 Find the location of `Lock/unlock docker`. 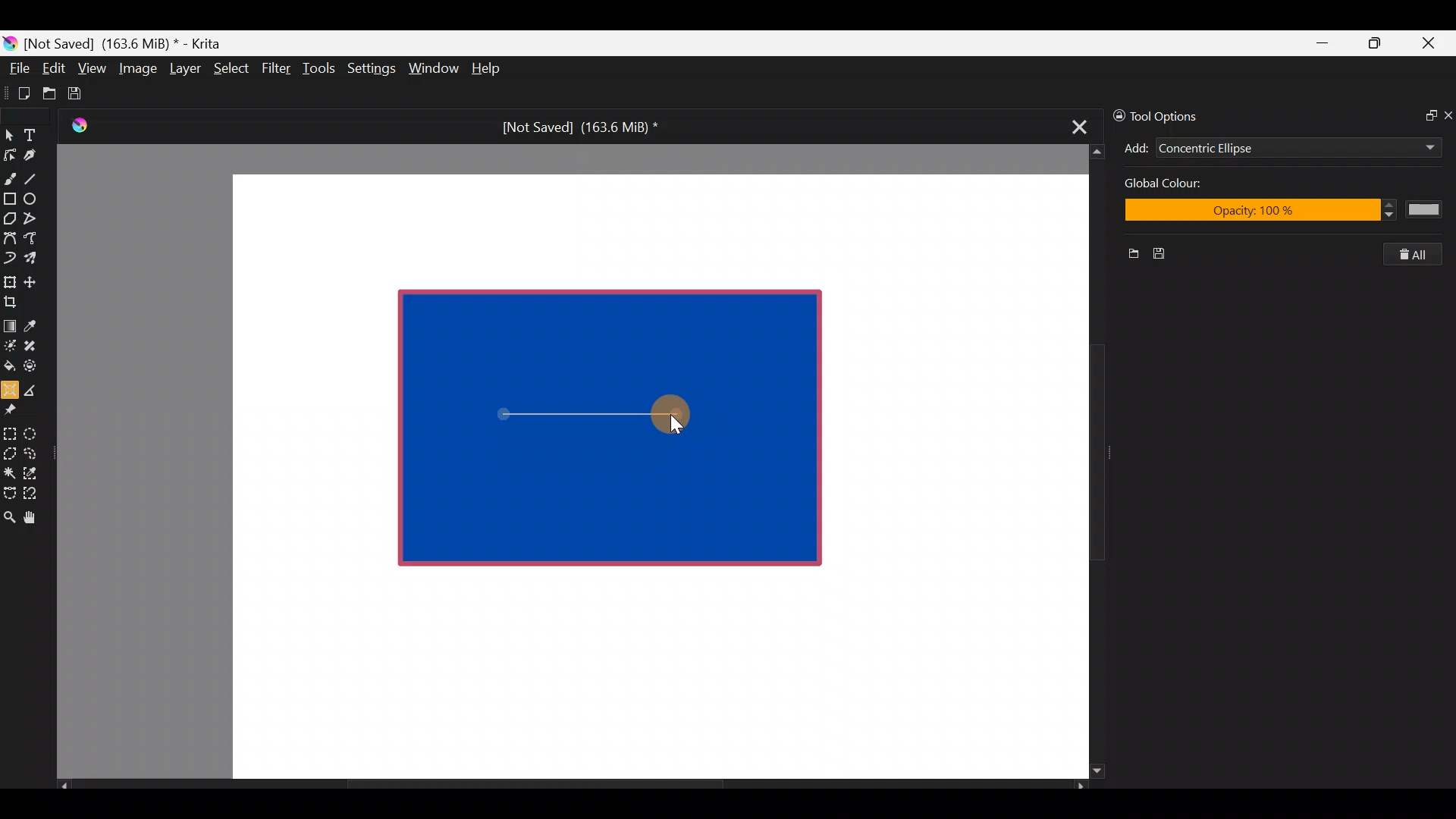

Lock/unlock docker is located at coordinates (1116, 113).